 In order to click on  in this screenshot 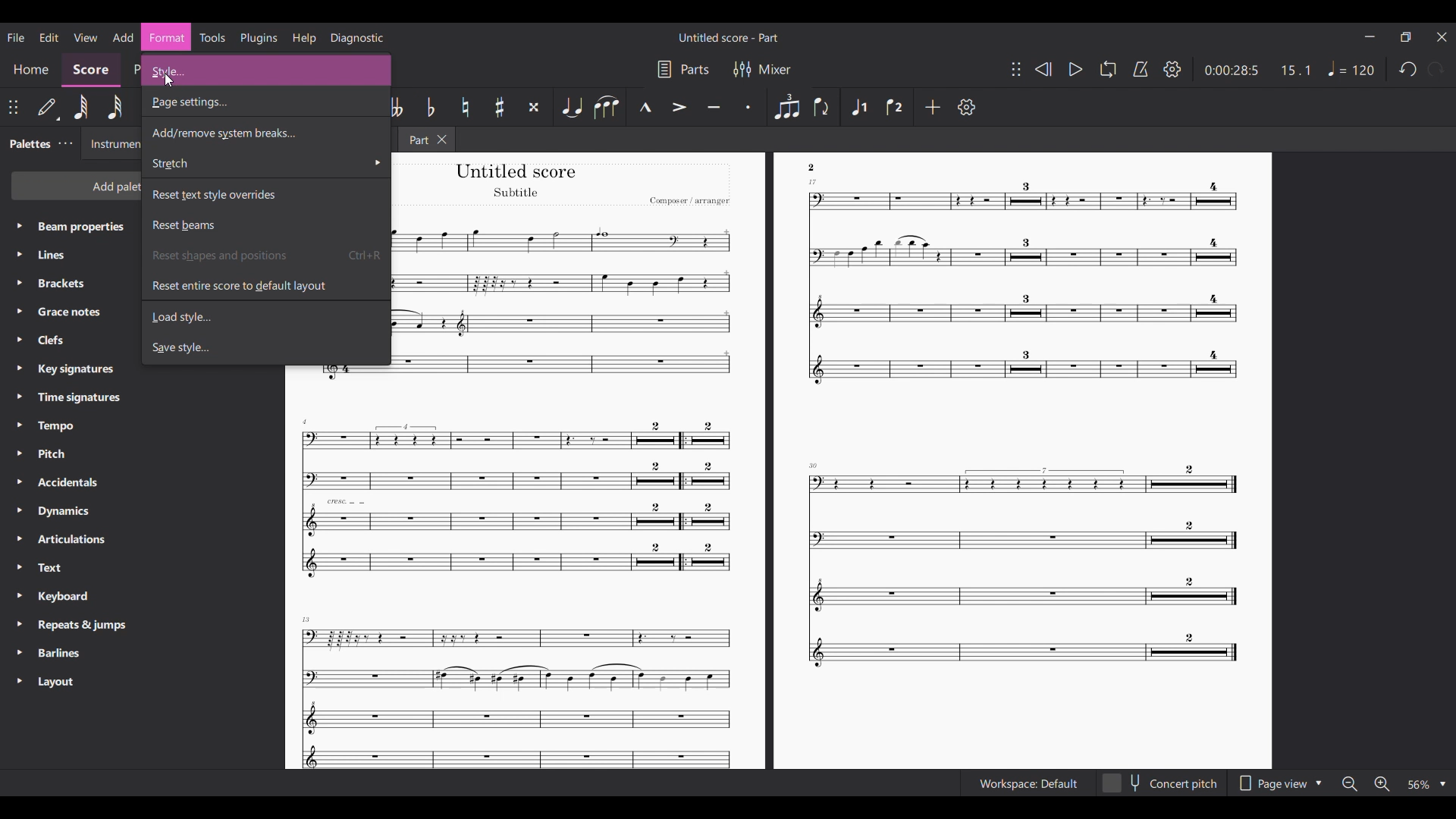, I will do `click(1024, 283)`.